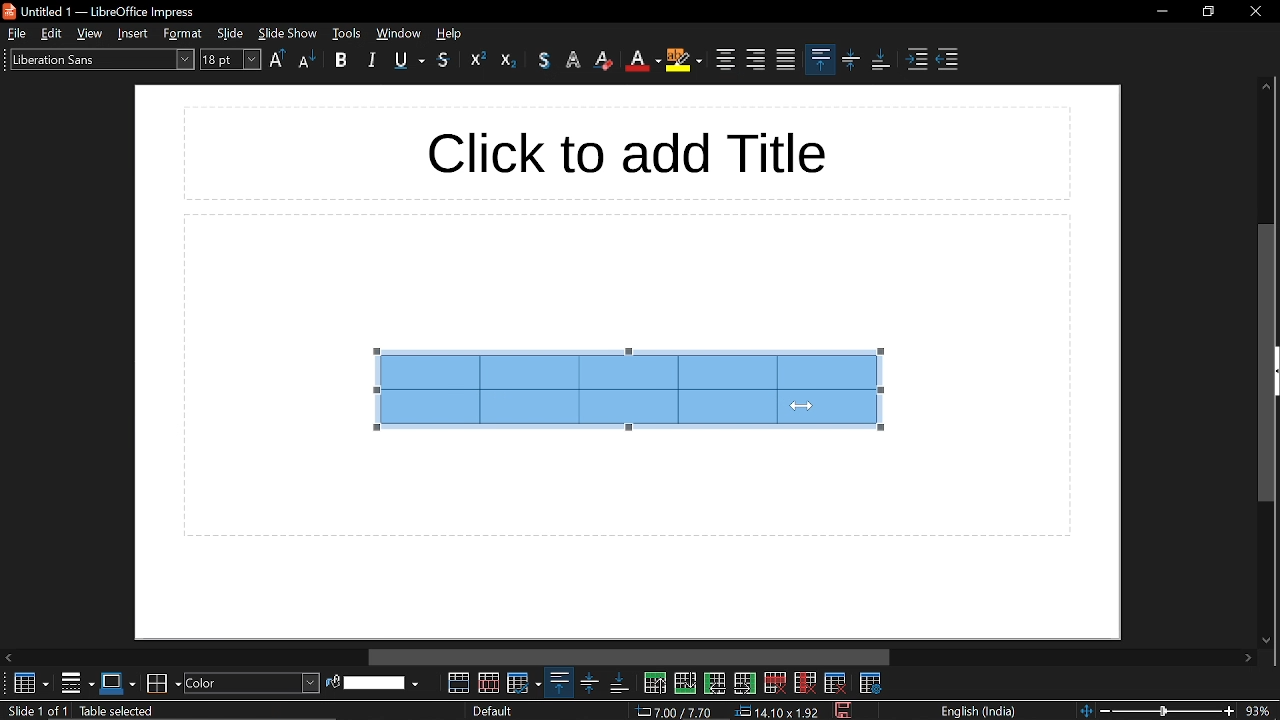 The image size is (1280, 720). What do you see at coordinates (803, 682) in the screenshot?
I see `delete column` at bounding box center [803, 682].